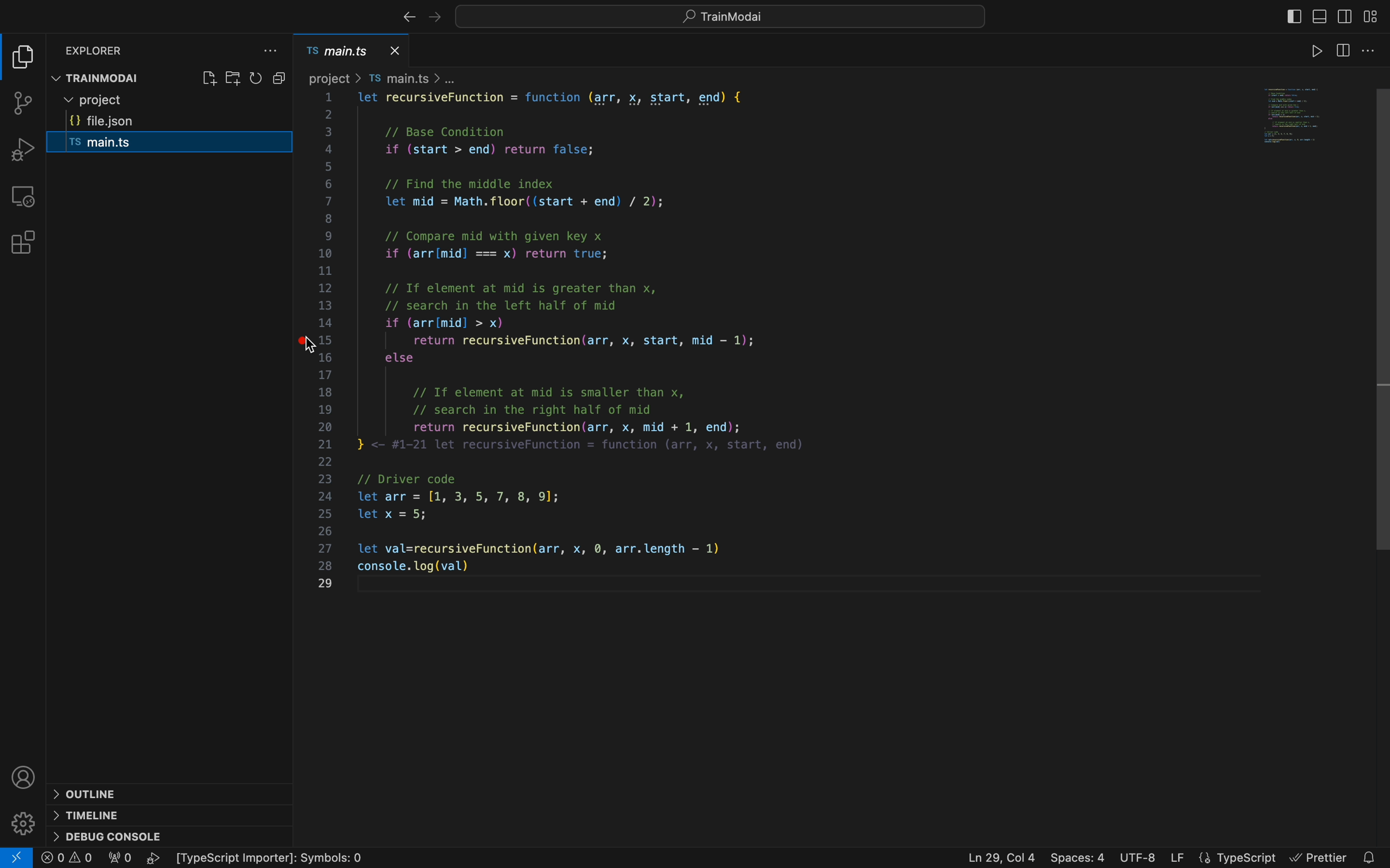 This screenshot has width=1390, height=868. I want to click on remote explore, so click(24, 195).